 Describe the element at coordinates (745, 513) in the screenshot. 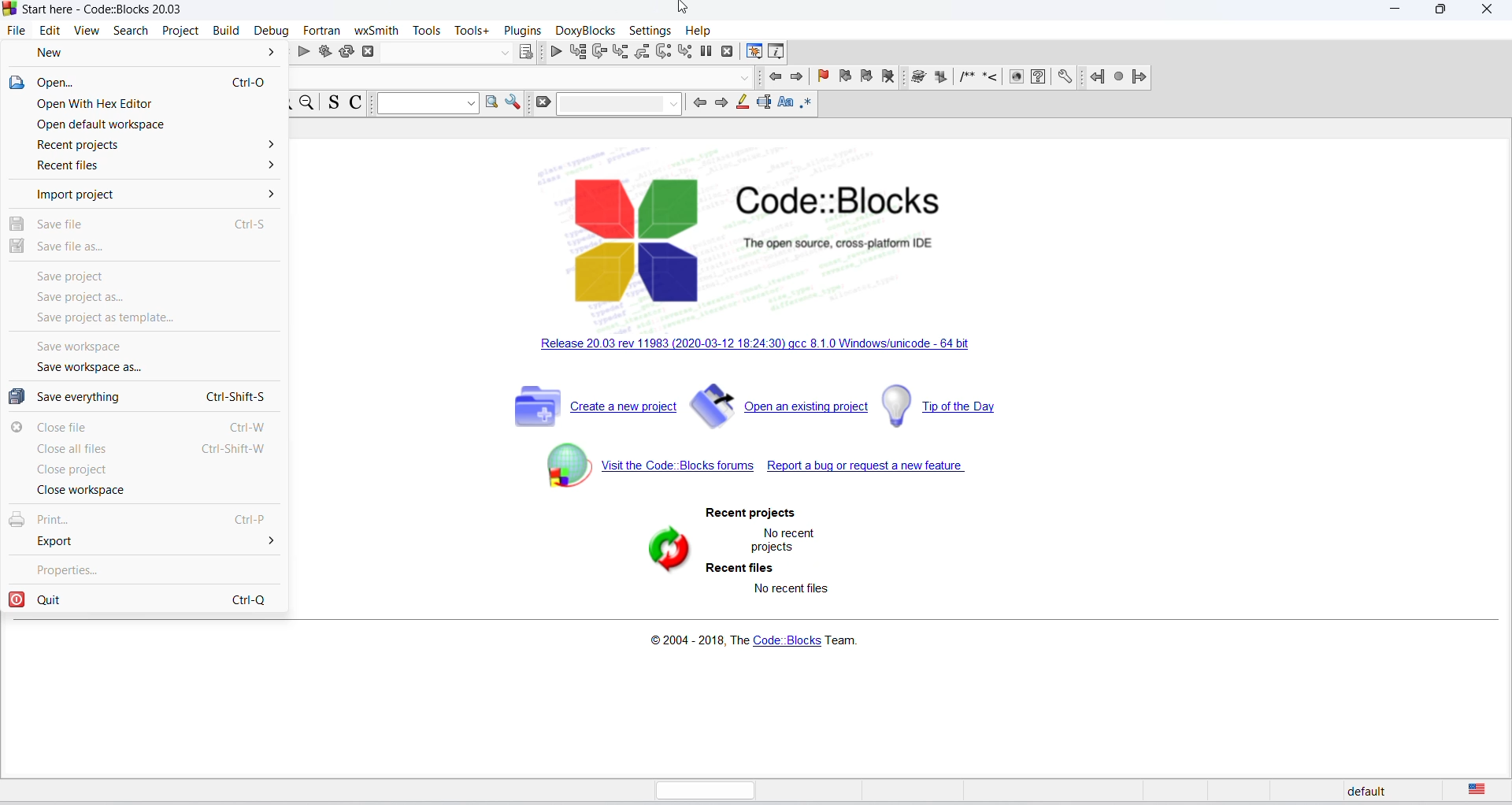

I see `recent project` at that location.